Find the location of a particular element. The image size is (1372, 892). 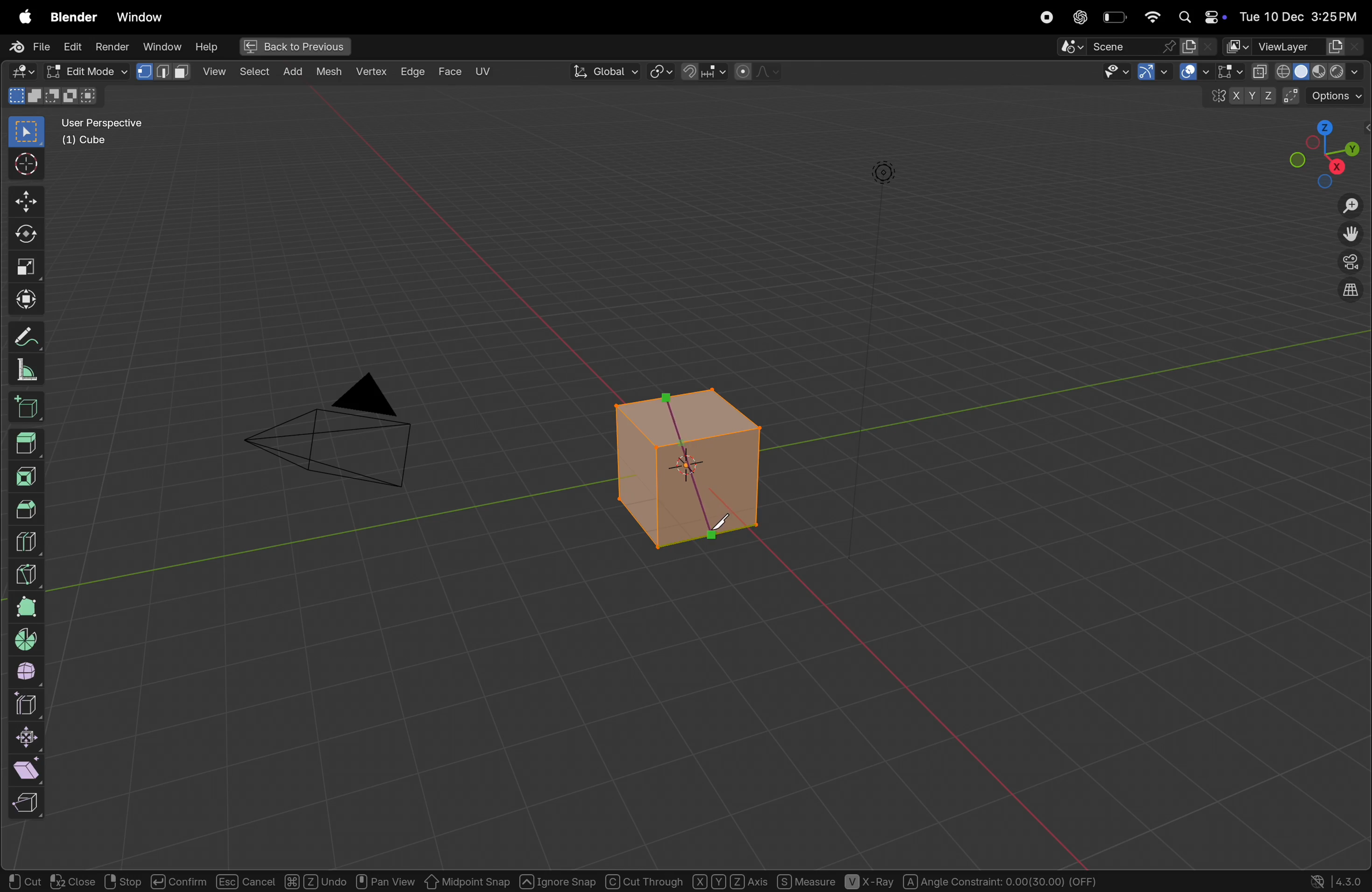

Show system preferences  "Network" panel to allow online access is located at coordinates (1318, 881).